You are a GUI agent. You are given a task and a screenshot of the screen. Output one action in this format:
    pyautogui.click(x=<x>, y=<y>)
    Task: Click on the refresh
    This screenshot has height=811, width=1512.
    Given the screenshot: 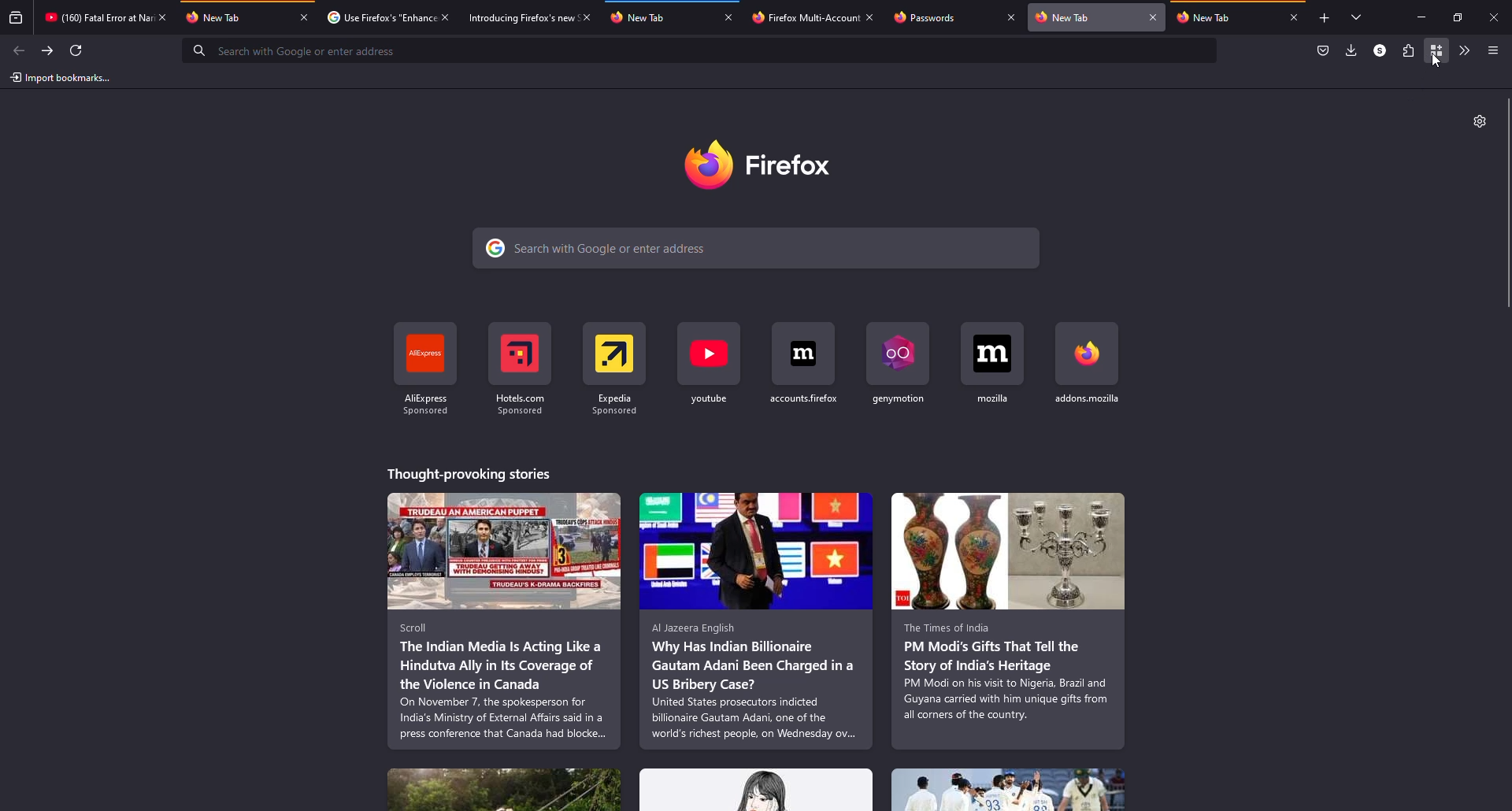 What is the action you would take?
    pyautogui.click(x=79, y=50)
    